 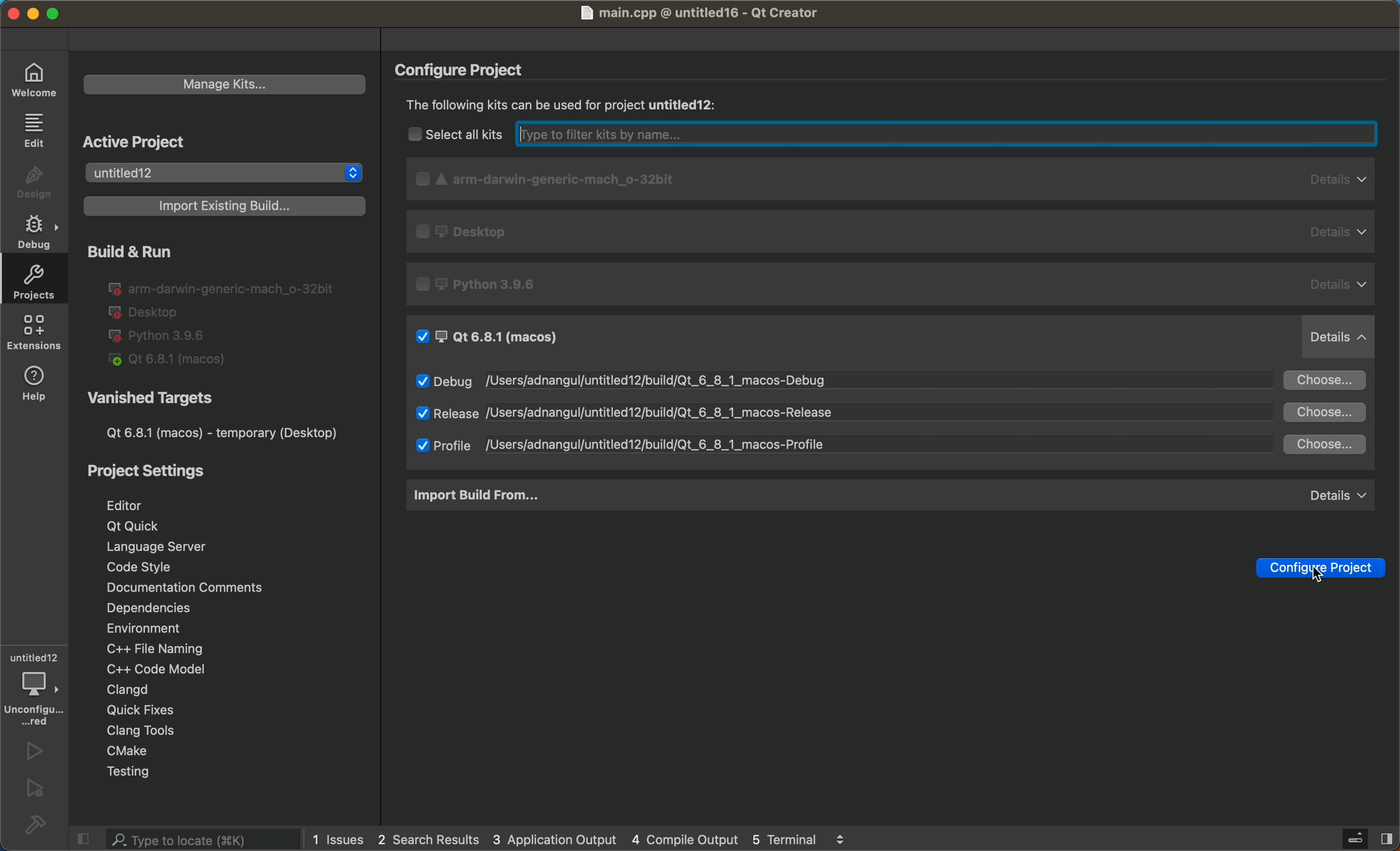 What do you see at coordinates (1326, 570) in the screenshot?
I see `Configure projects` at bounding box center [1326, 570].